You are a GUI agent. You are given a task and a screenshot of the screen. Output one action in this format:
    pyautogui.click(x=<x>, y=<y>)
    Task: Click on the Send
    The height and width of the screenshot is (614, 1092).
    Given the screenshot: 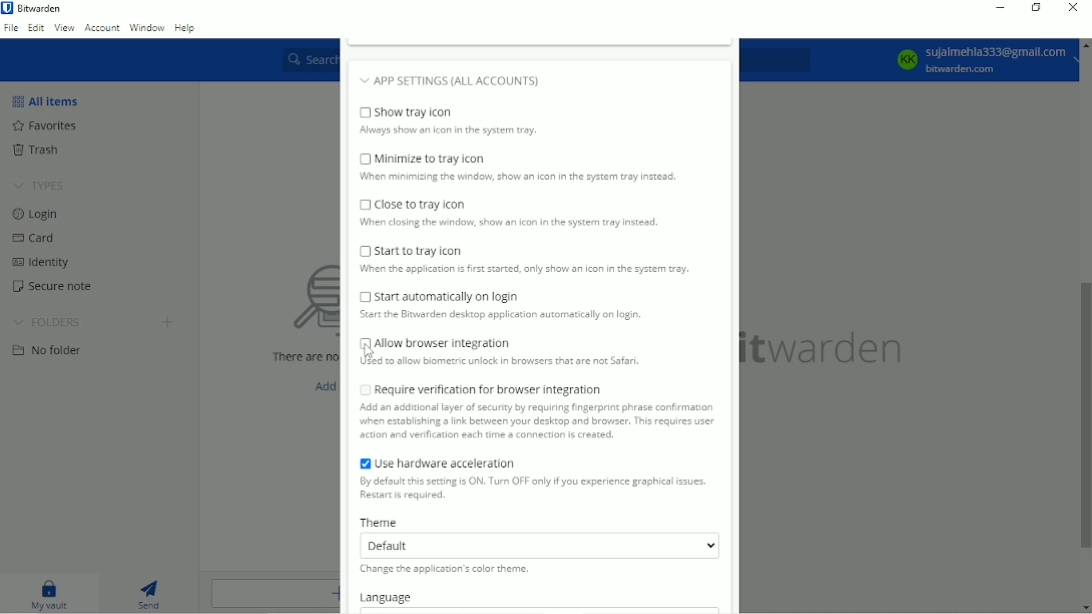 What is the action you would take?
    pyautogui.click(x=150, y=592)
    